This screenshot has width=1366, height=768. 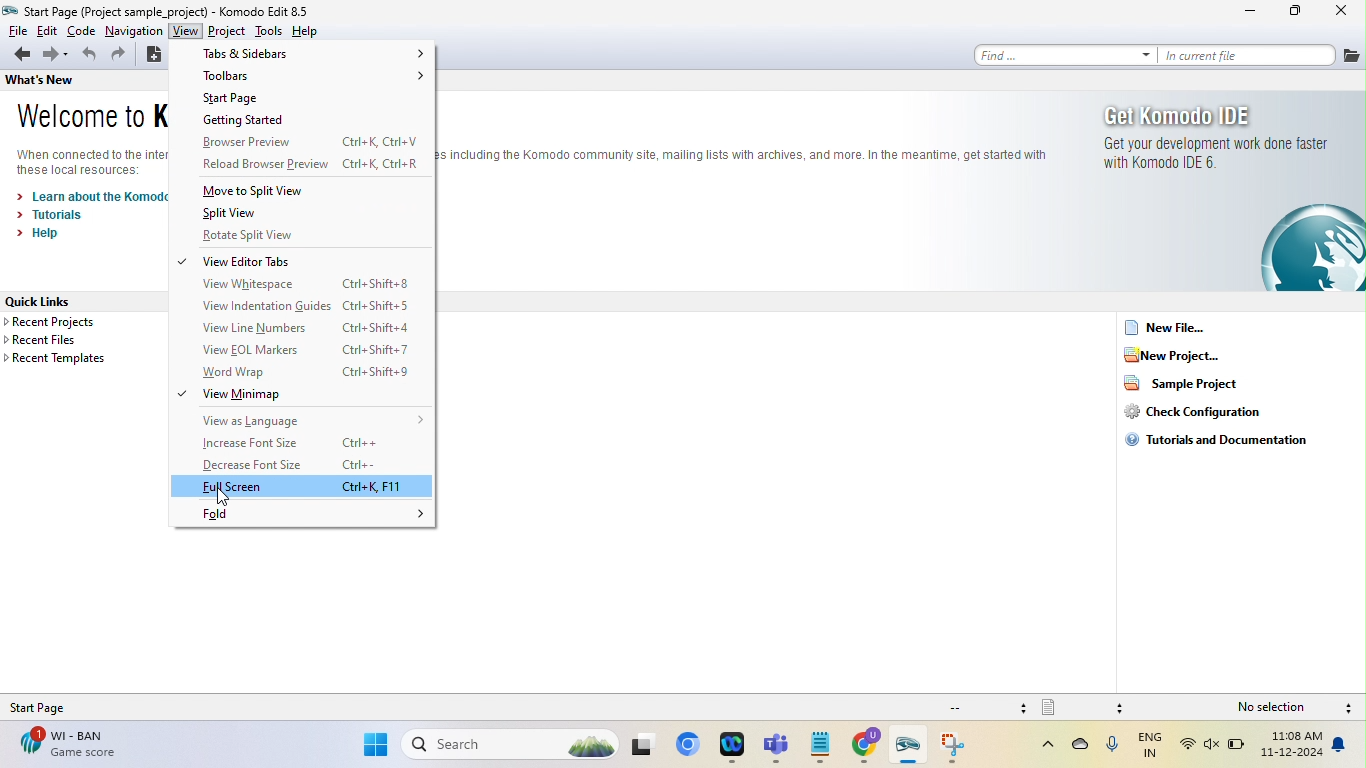 I want to click on minimize, so click(x=1252, y=12).